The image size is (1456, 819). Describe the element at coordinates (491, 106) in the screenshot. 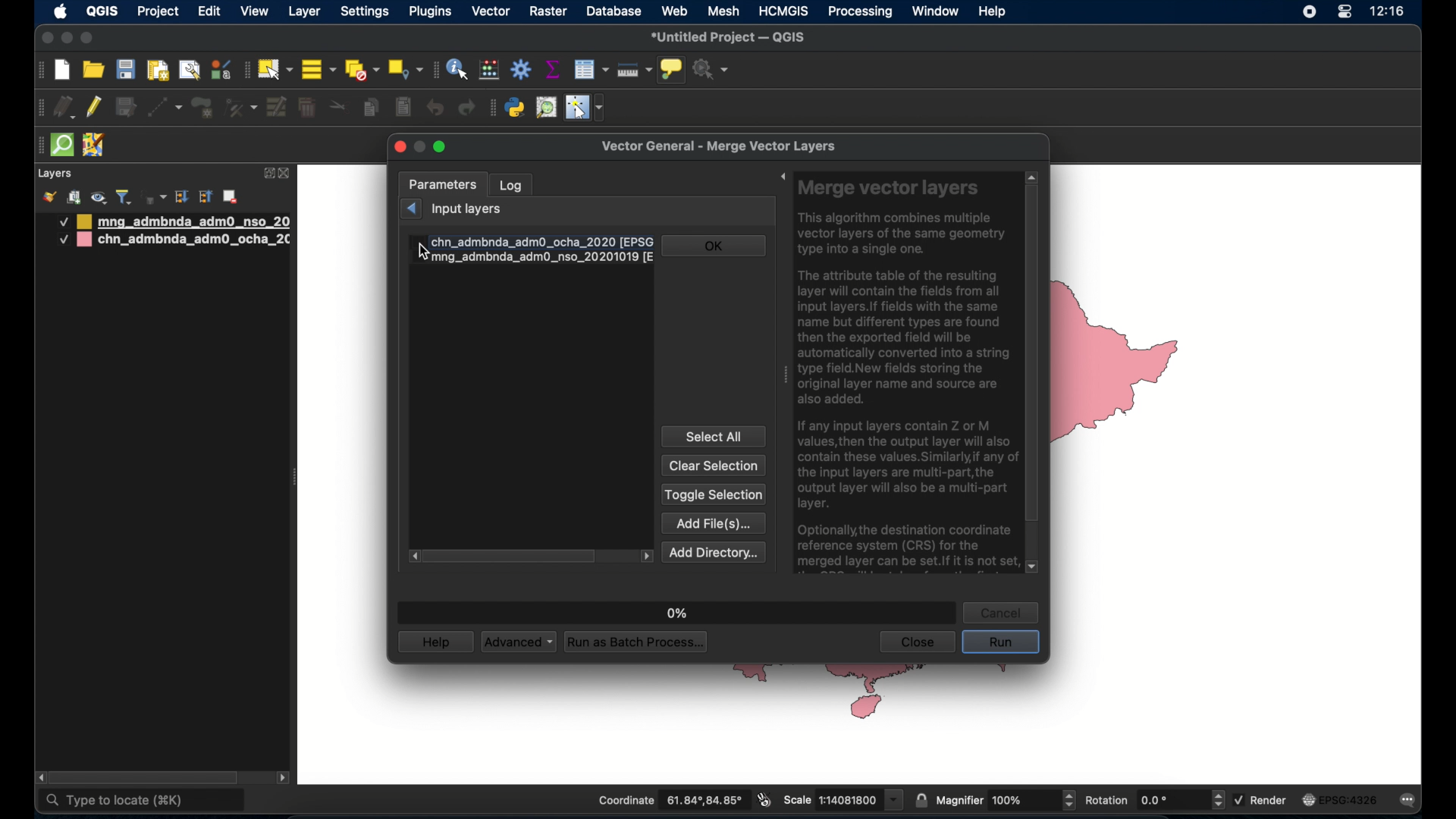

I see `plugins toolbar` at that location.